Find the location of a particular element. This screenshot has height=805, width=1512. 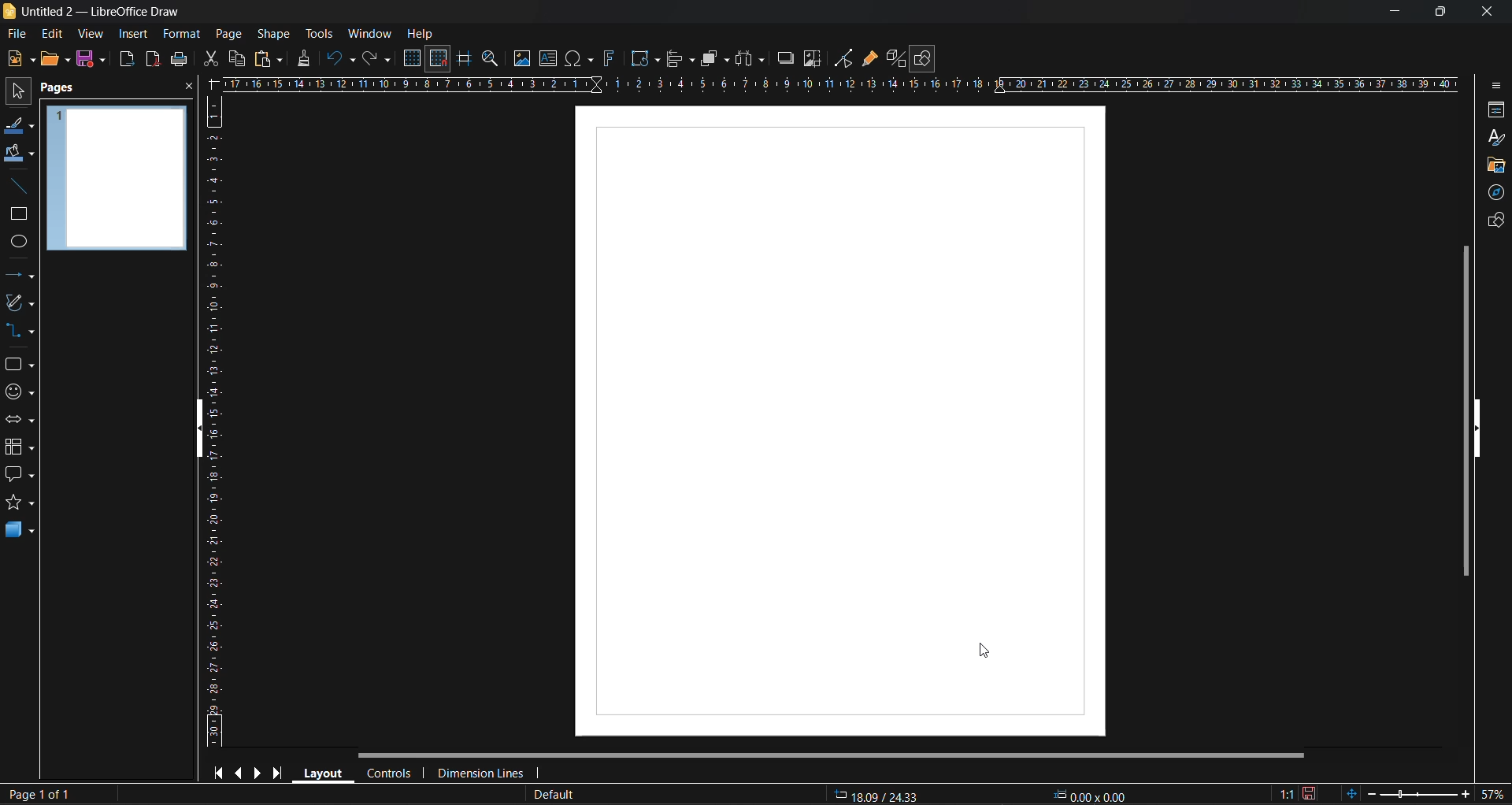

previous is located at coordinates (241, 772).